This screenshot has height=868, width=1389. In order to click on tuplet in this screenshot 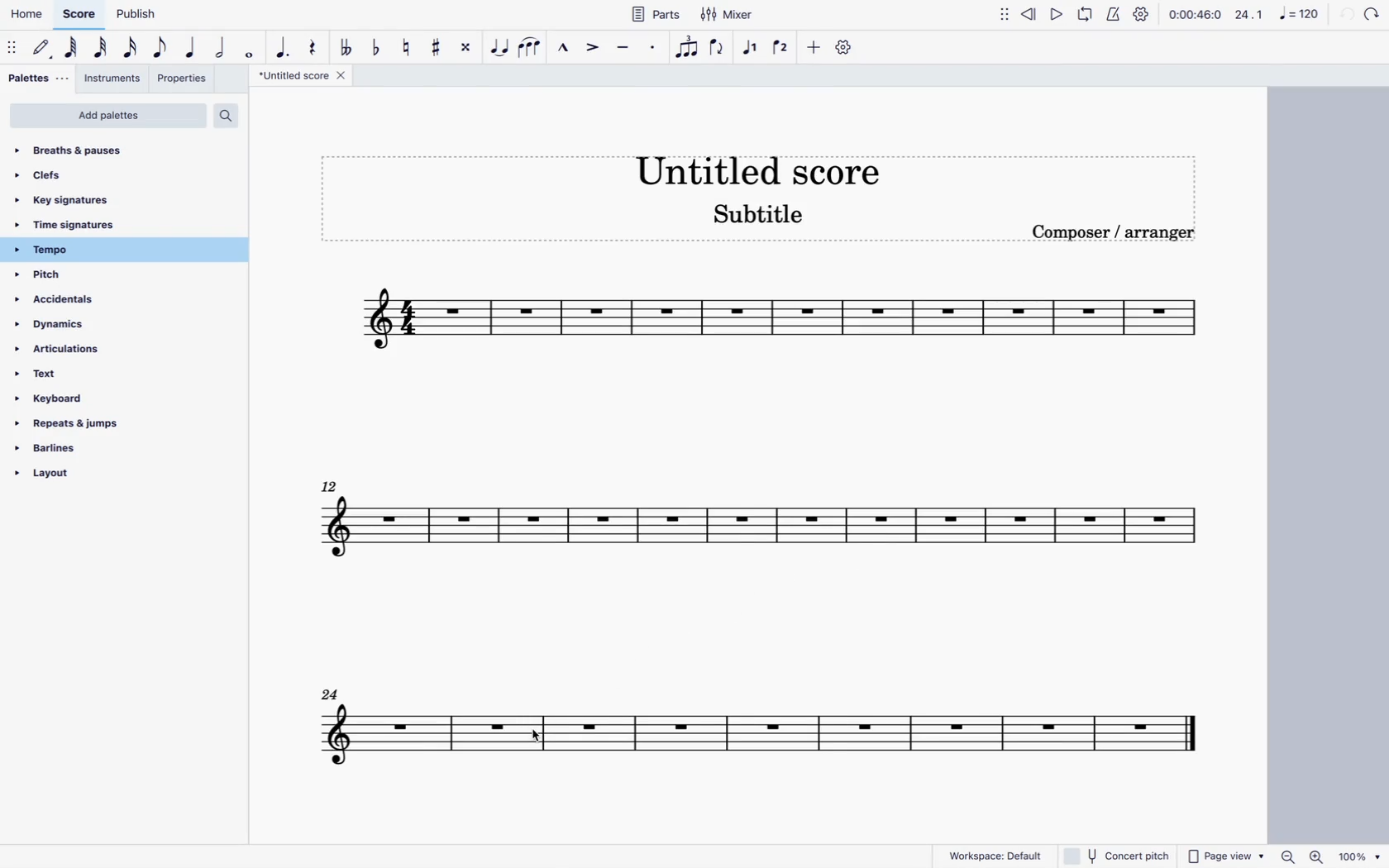, I will do `click(686, 48)`.